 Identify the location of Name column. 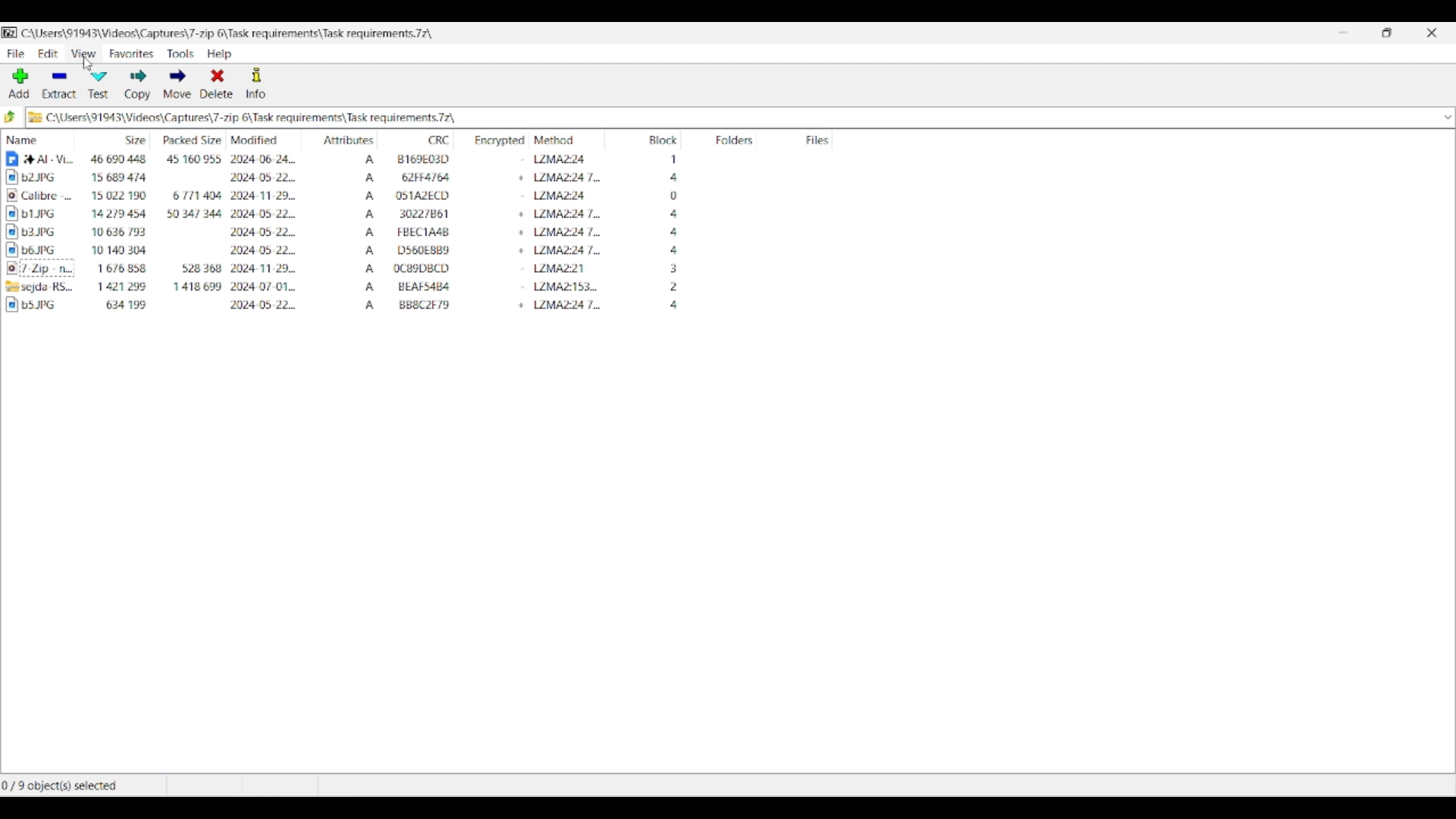
(38, 139).